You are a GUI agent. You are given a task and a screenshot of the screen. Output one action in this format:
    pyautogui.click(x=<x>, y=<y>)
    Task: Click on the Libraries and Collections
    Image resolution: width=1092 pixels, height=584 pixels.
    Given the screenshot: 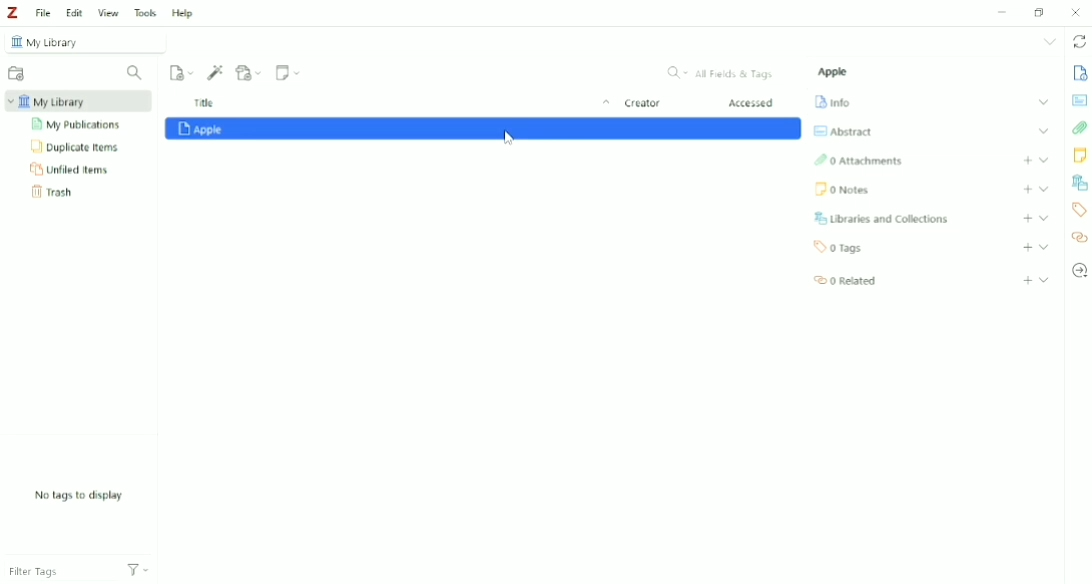 What is the action you would take?
    pyautogui.click(x=1079, y=183)
    